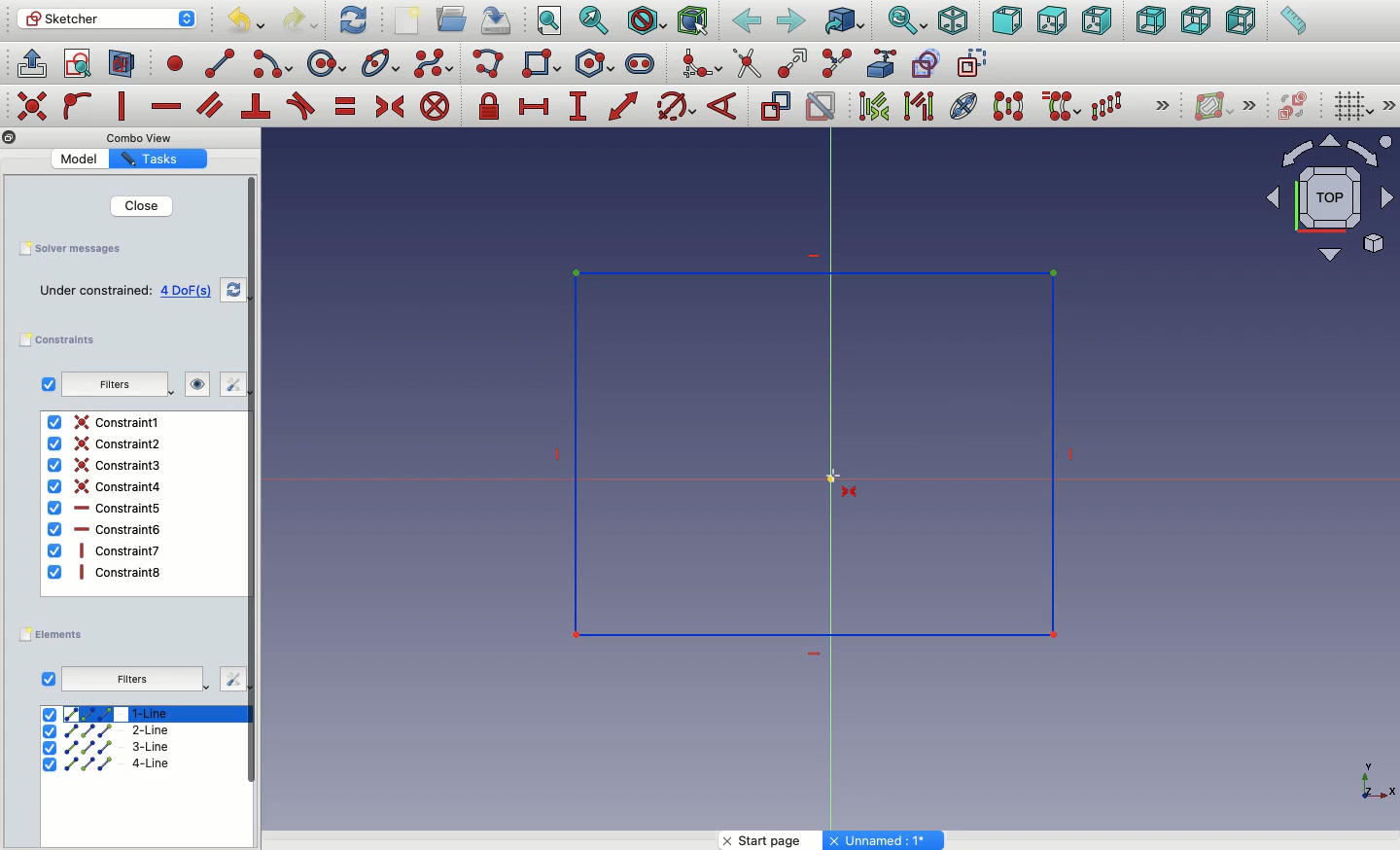 The height and width of the screenshot is (850, 1400). I want to click on Top, so click(1051, 21).